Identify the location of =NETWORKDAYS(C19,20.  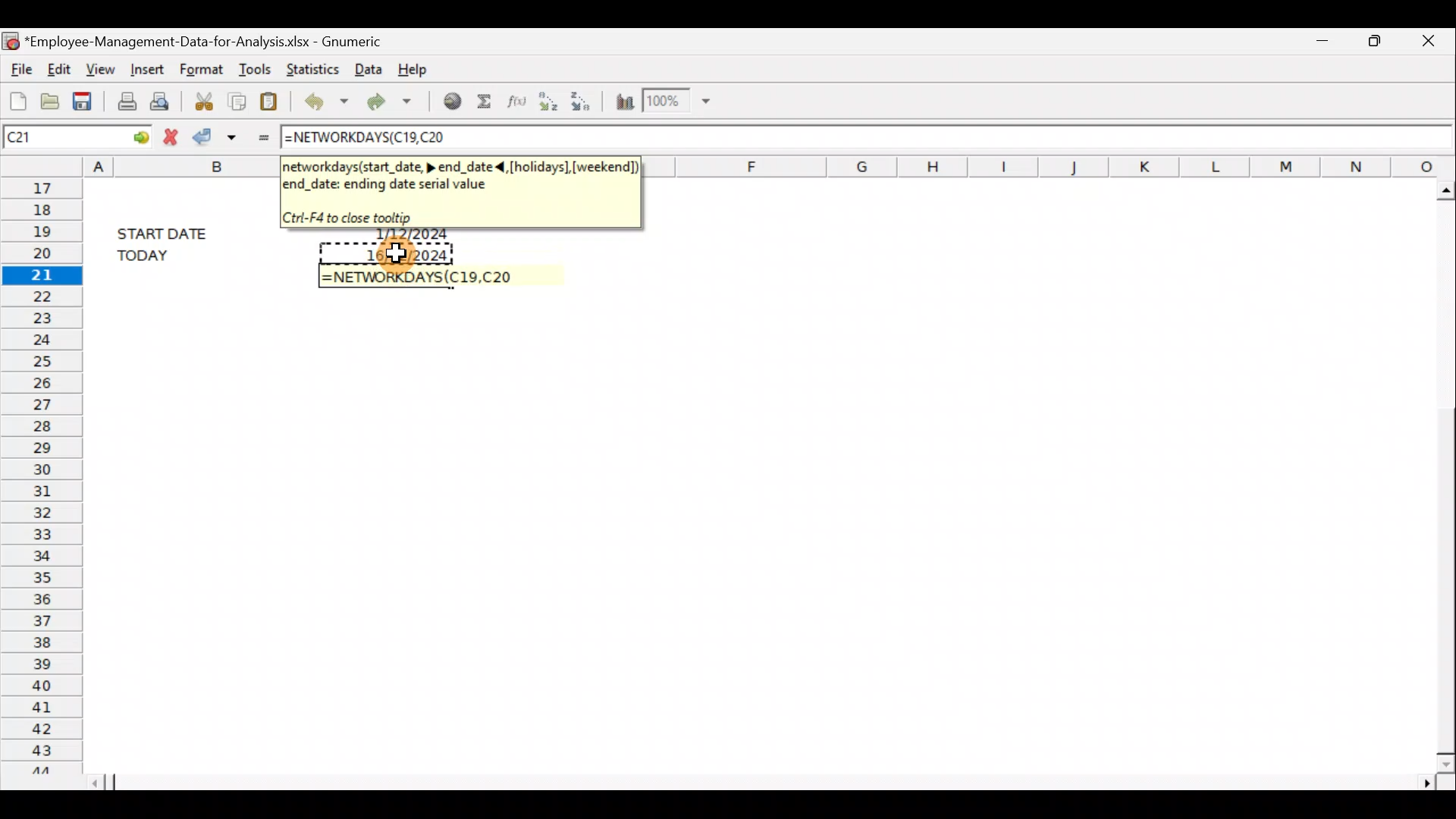
(364, 139).